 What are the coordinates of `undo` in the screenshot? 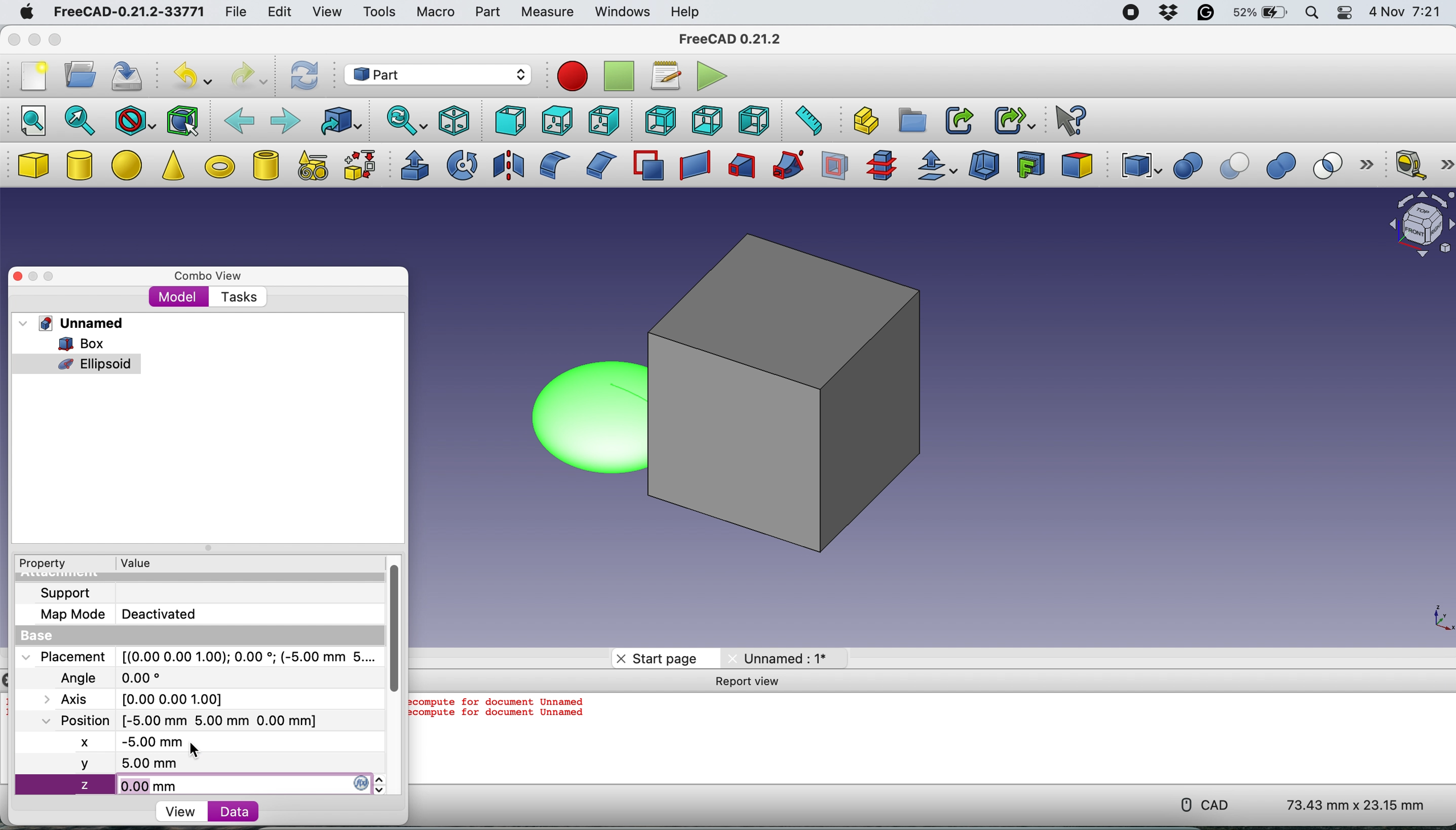 It's located at (189, 76).